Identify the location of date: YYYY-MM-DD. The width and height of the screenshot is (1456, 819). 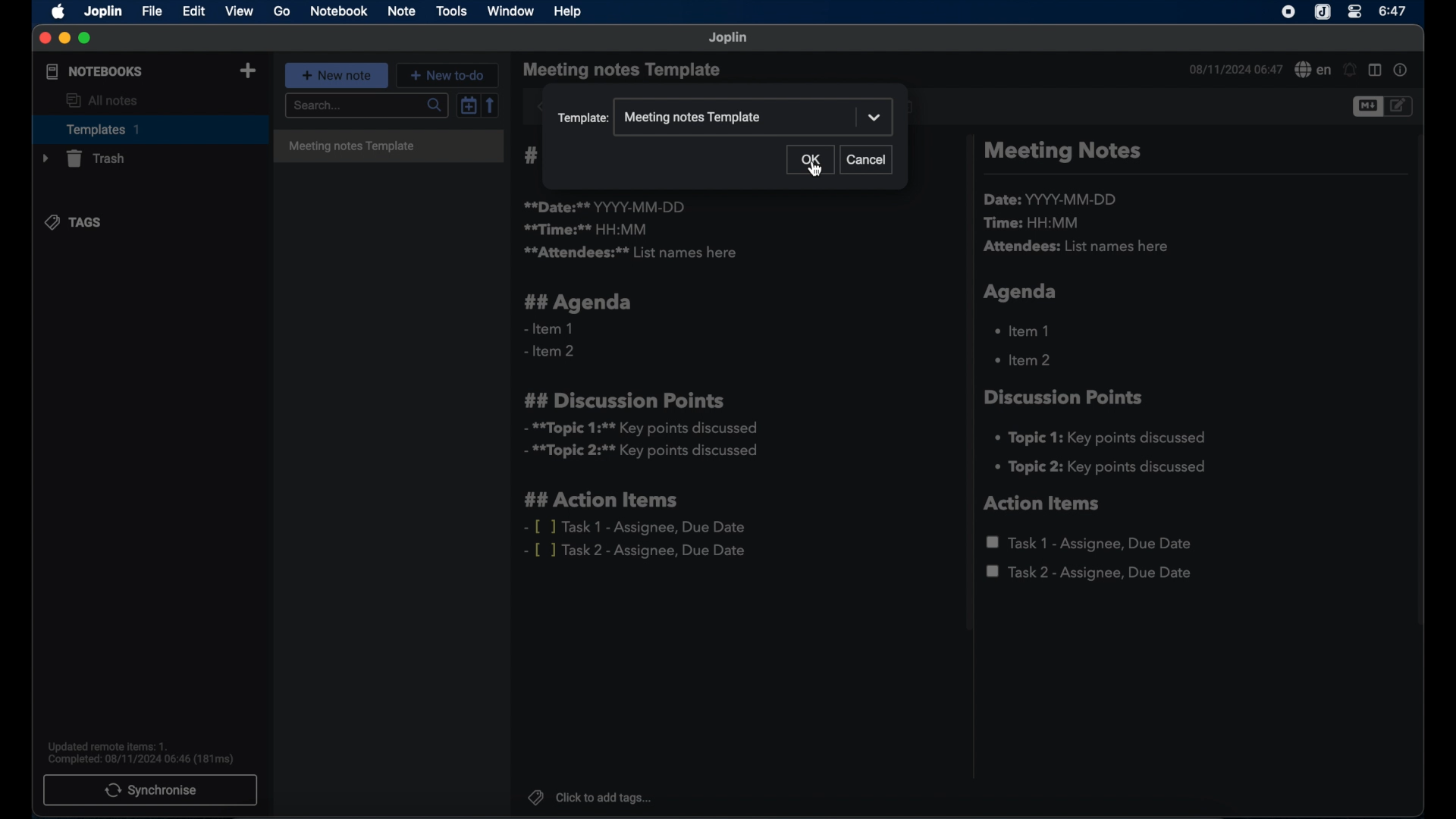
(1053, 199).